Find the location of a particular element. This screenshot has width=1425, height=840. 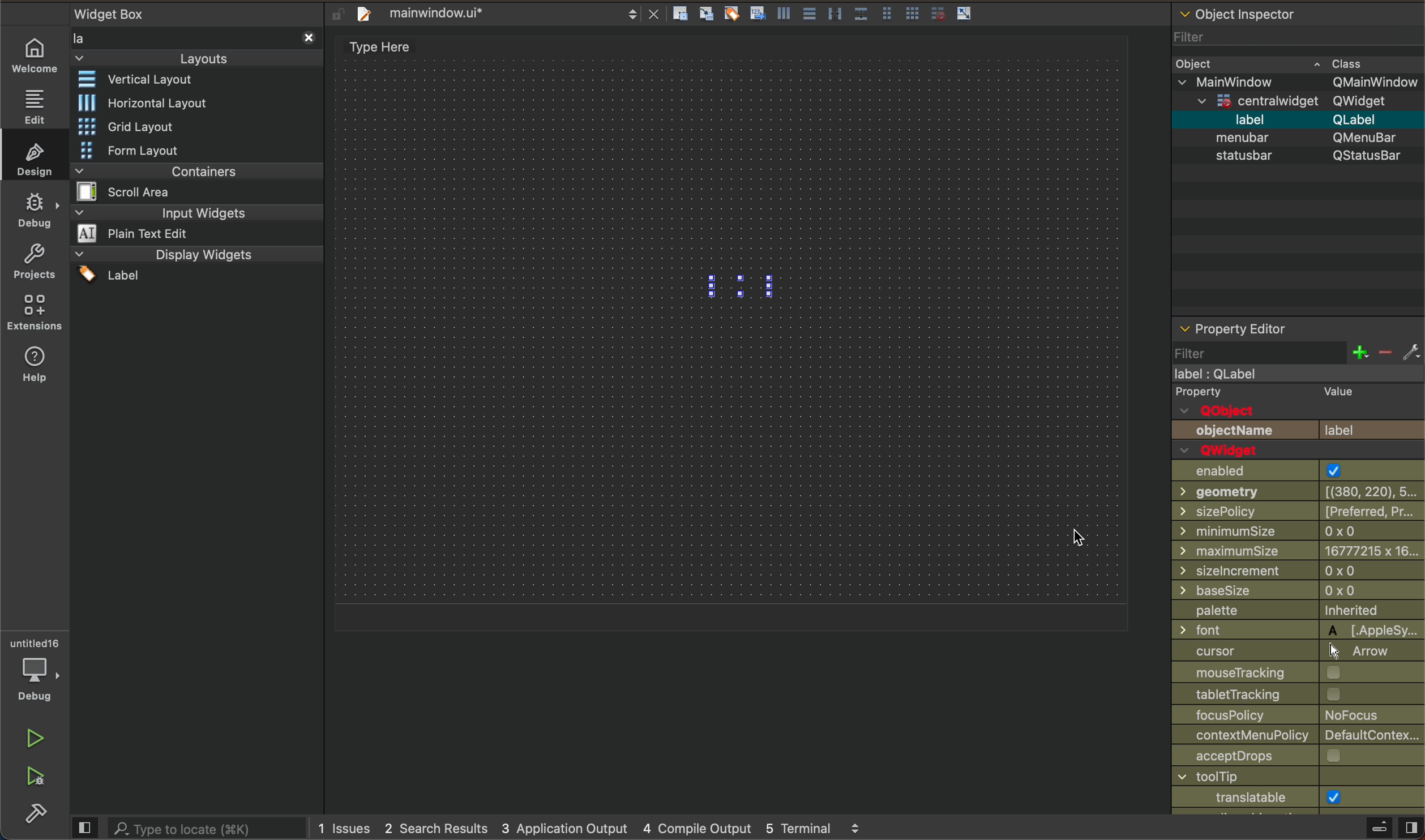

main window is located at coordinates (1297, 83).